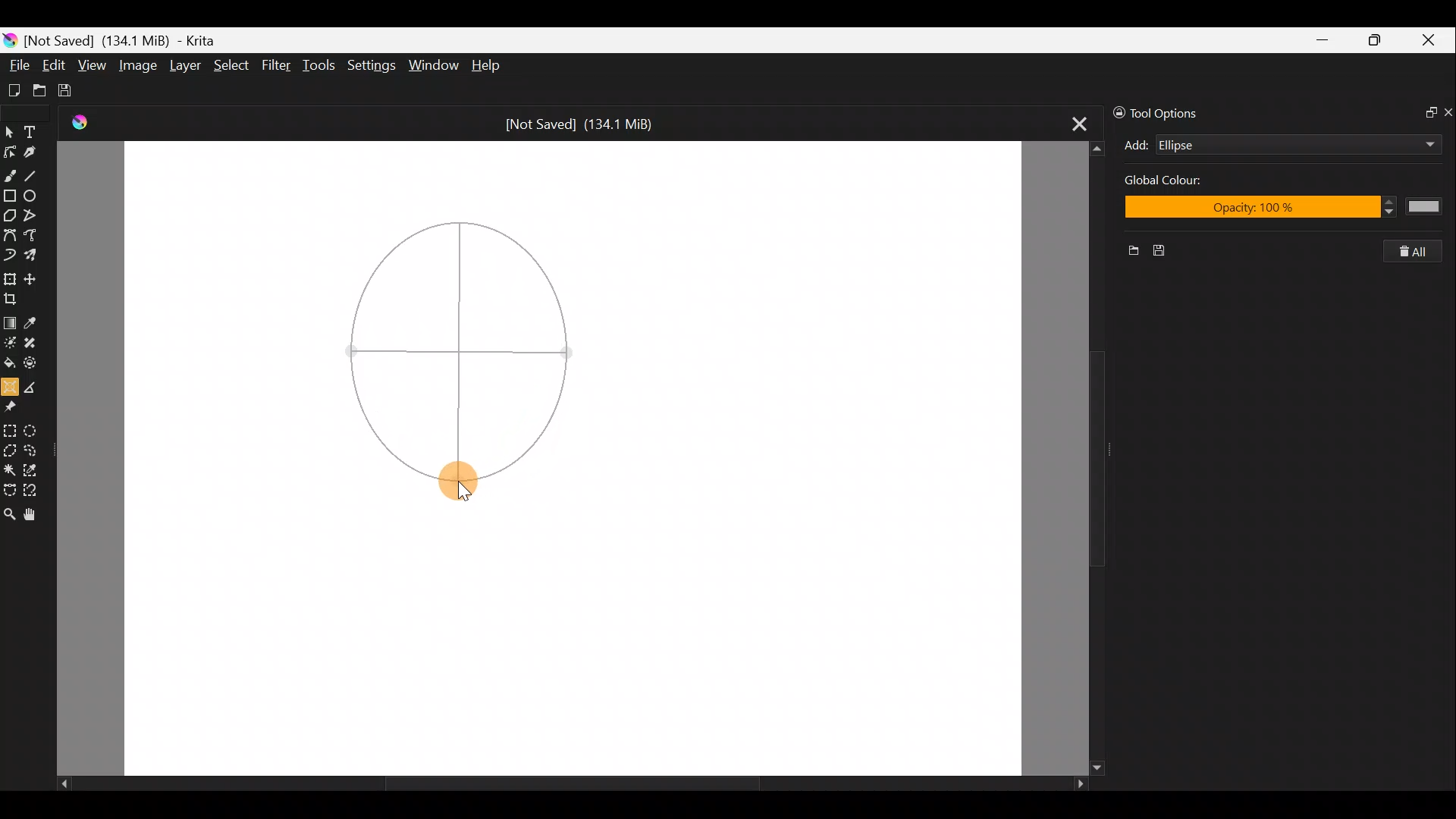  I want to click on Layer, so click(184, 66).